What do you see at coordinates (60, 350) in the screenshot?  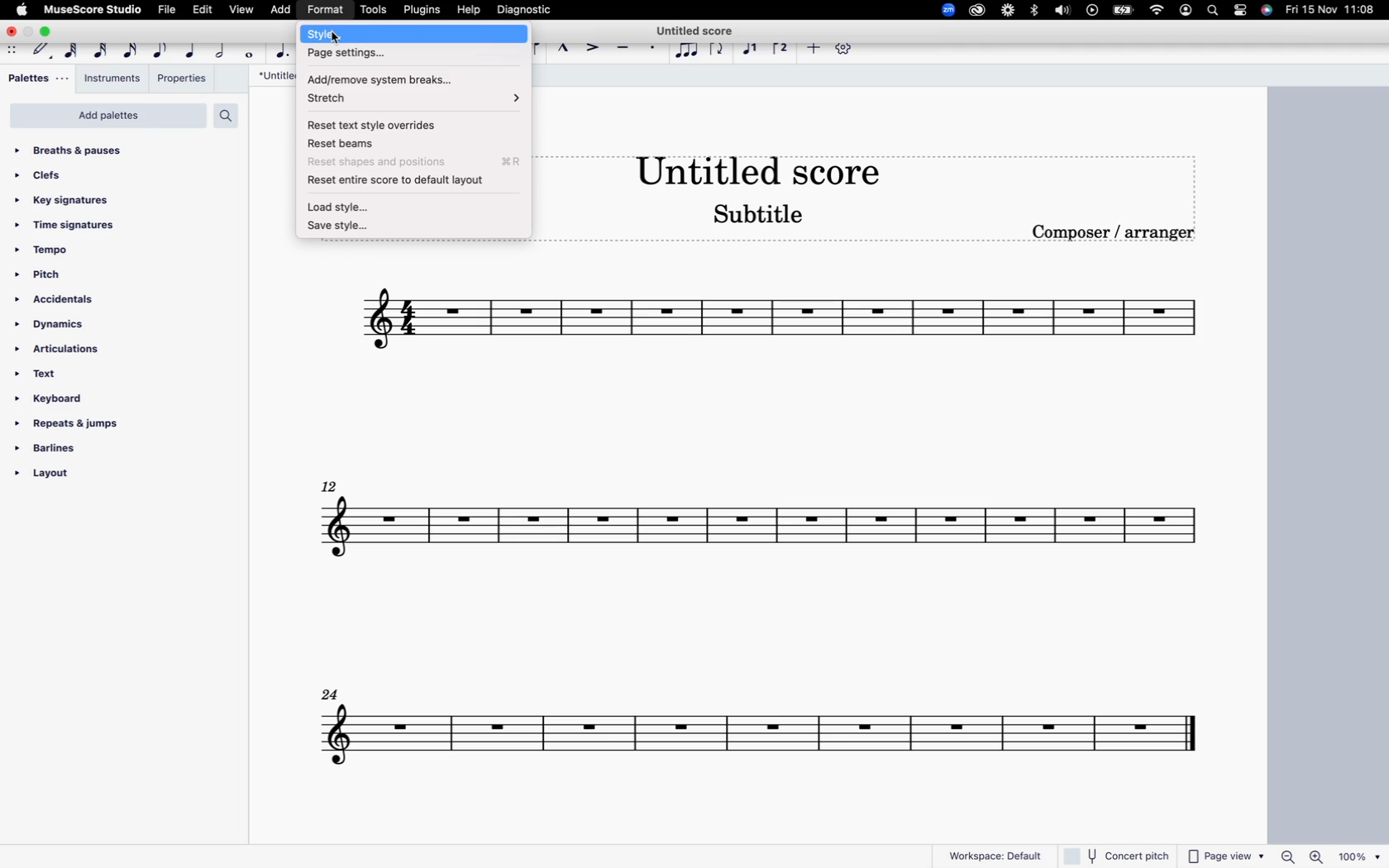 I see `articulations` at bounding box center [60, 350].